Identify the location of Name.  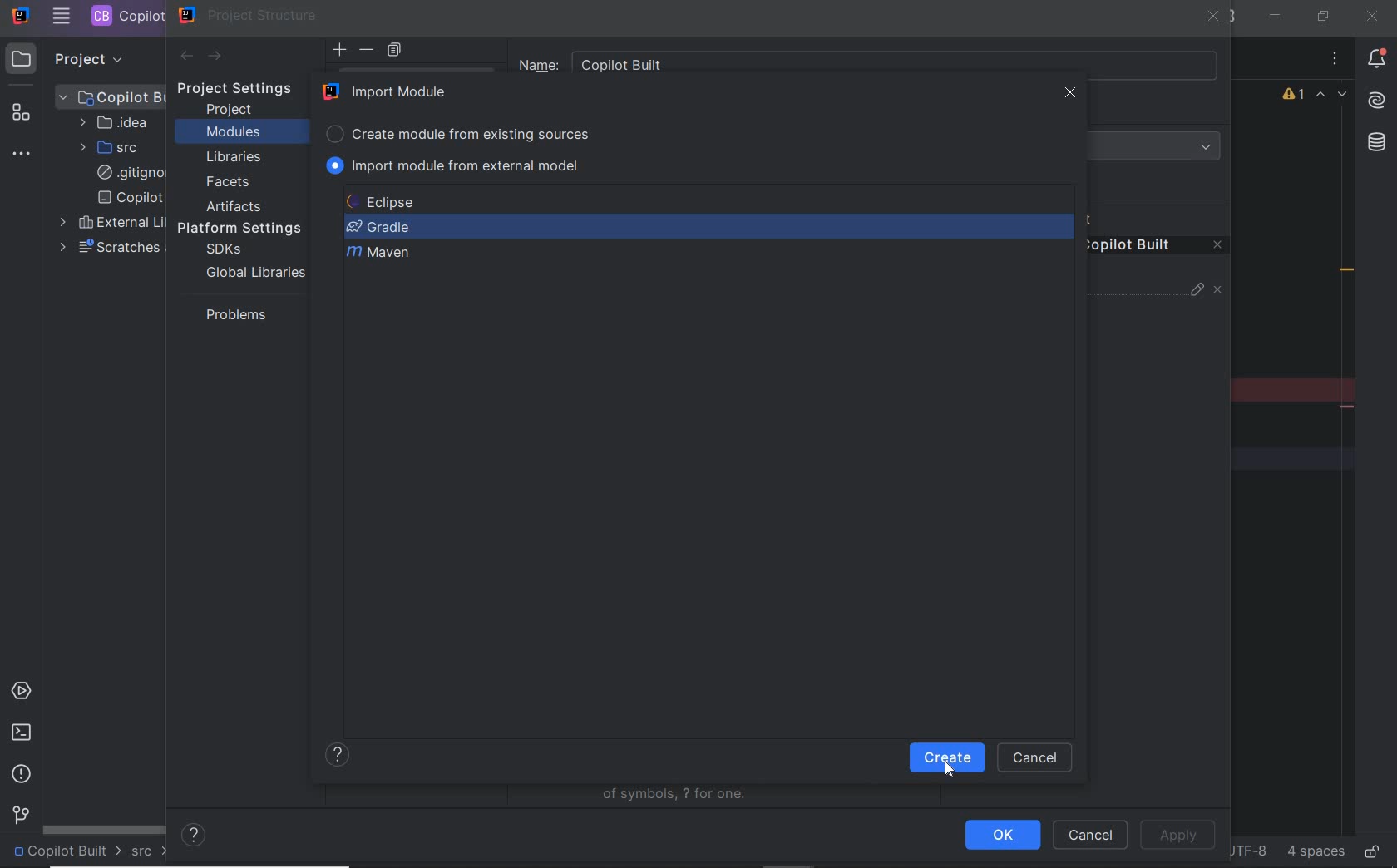
(869, 60).